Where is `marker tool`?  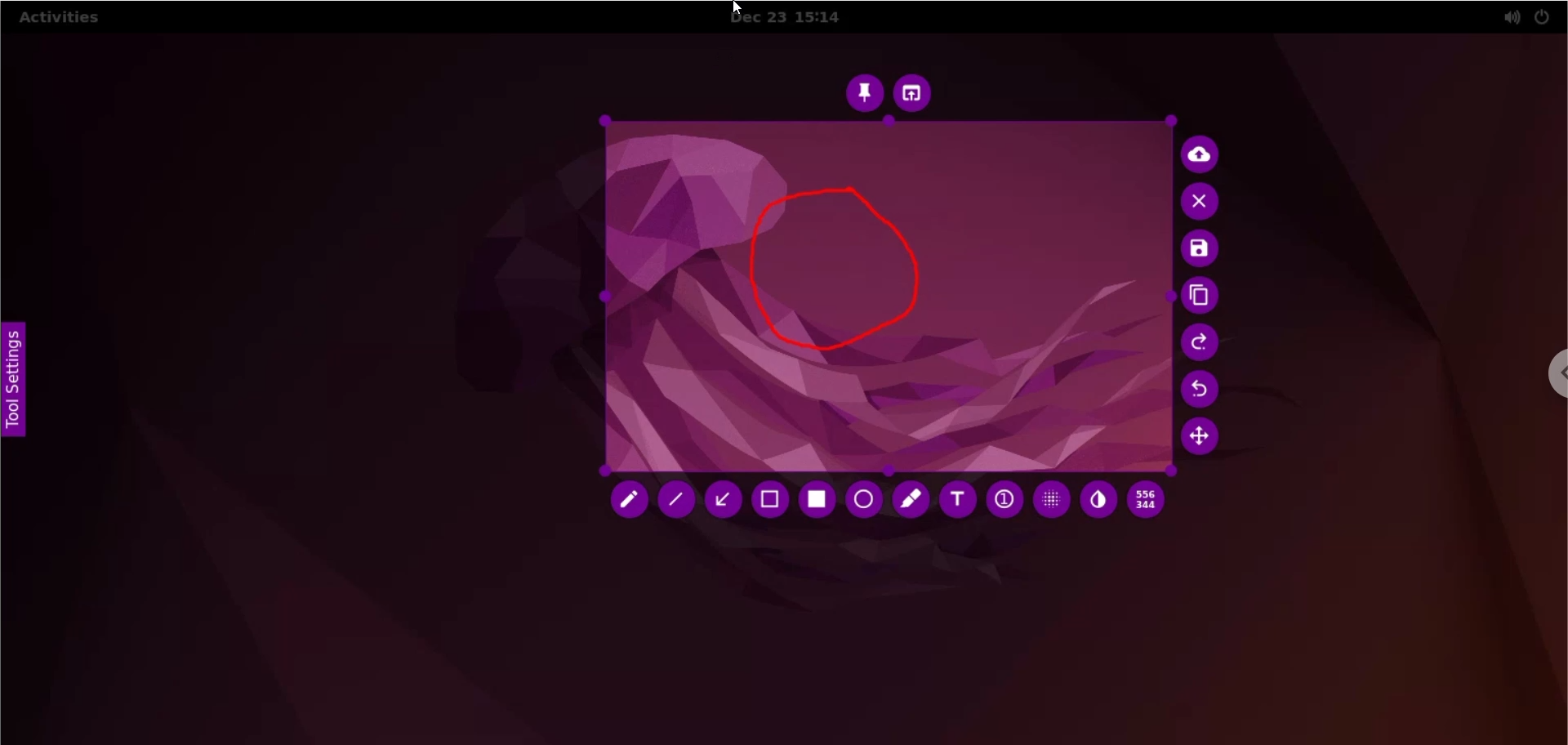 marker tool is located at coordinates (911, 500).